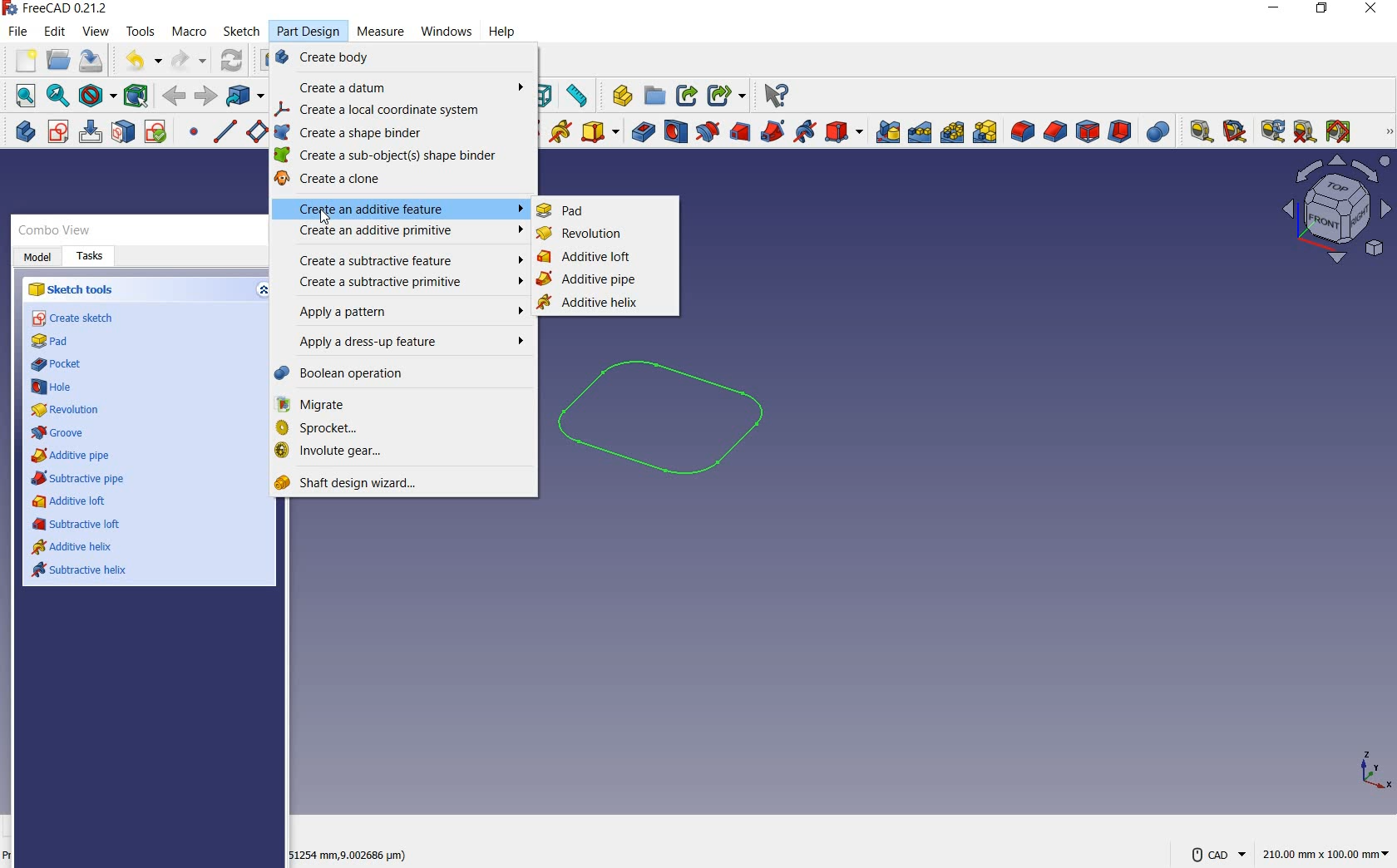  Describe the element at coordinates (954, 134) in the screenshot. I see `polar pattern` at that location.